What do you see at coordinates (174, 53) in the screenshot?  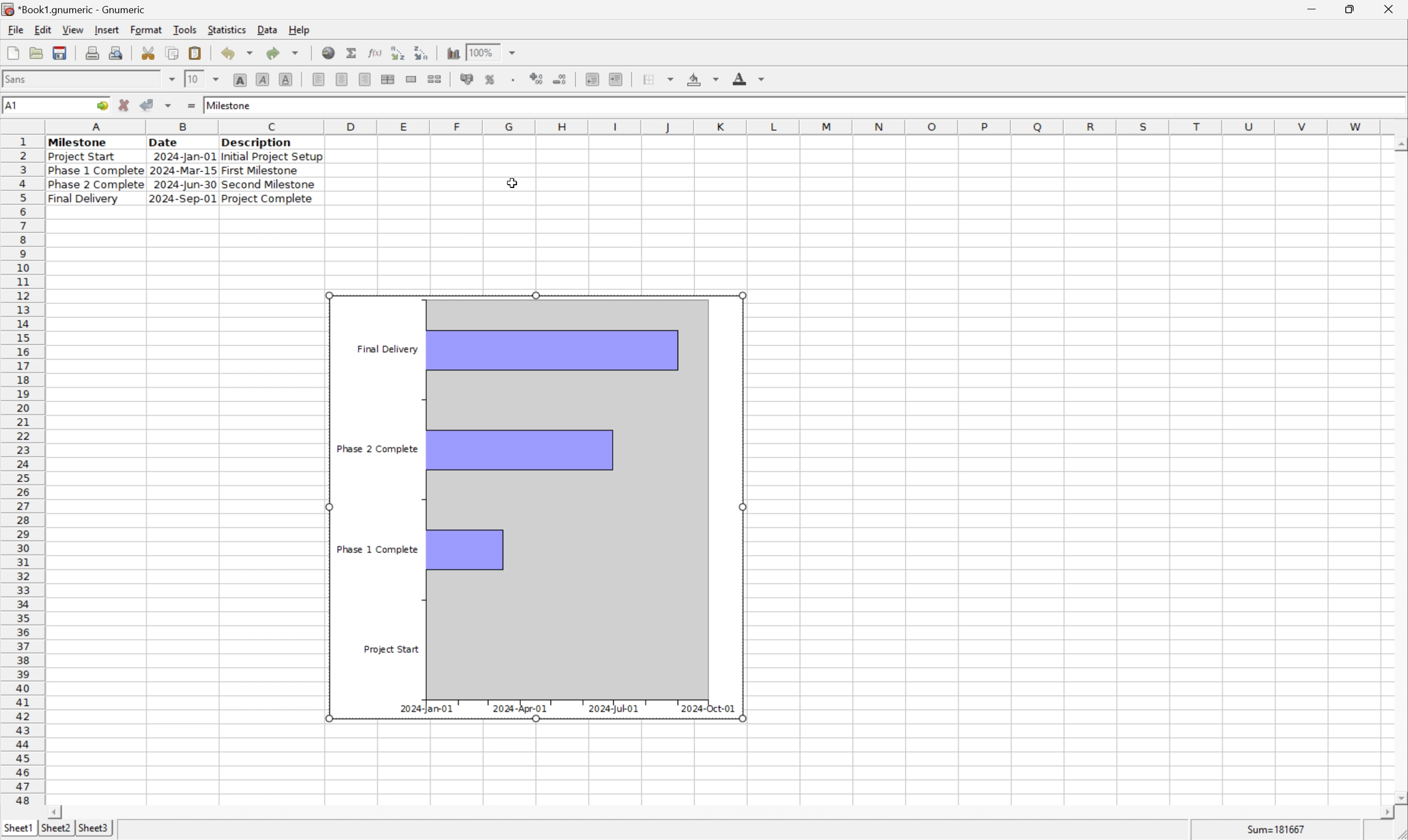 I see `copy from selection` at bounding box center [174, 53].